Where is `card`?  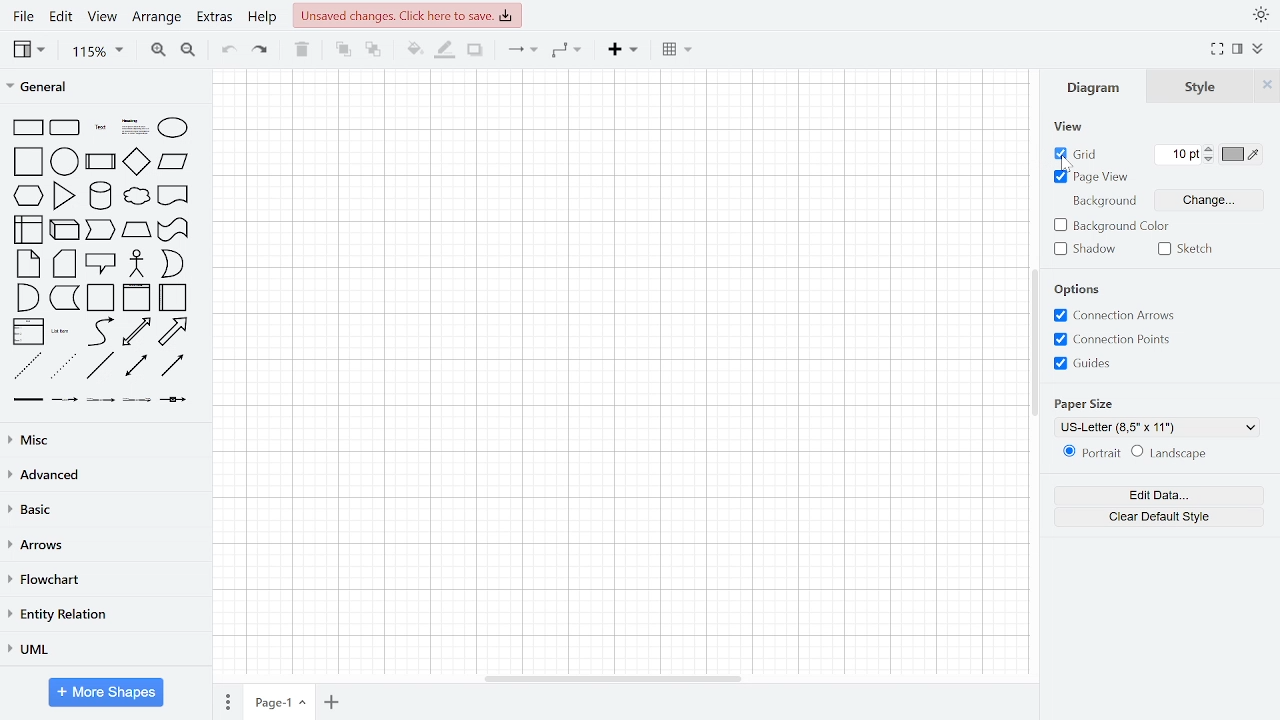 card is located at coordinates (64, 264).